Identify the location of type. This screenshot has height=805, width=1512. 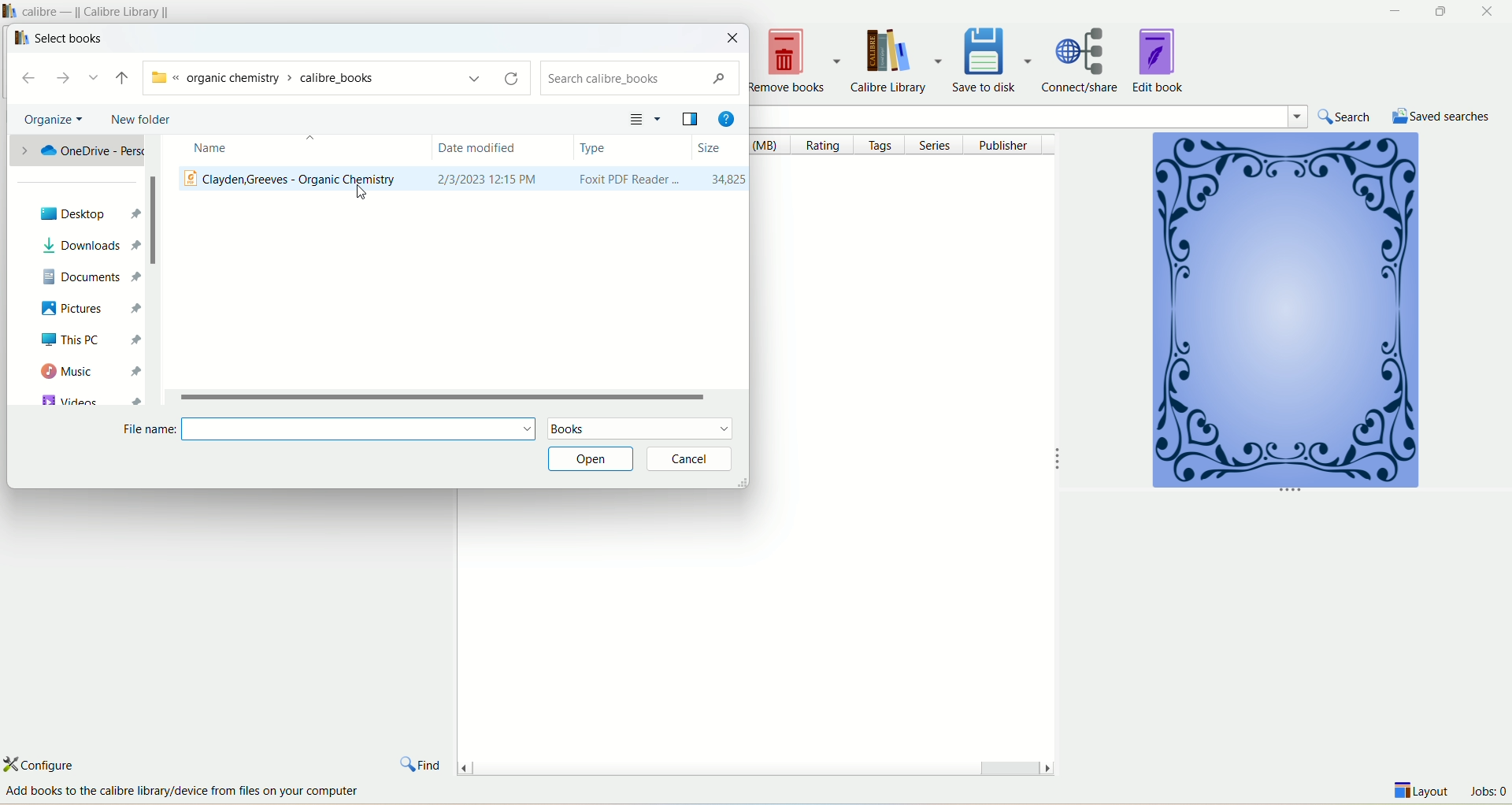
(632, 148).